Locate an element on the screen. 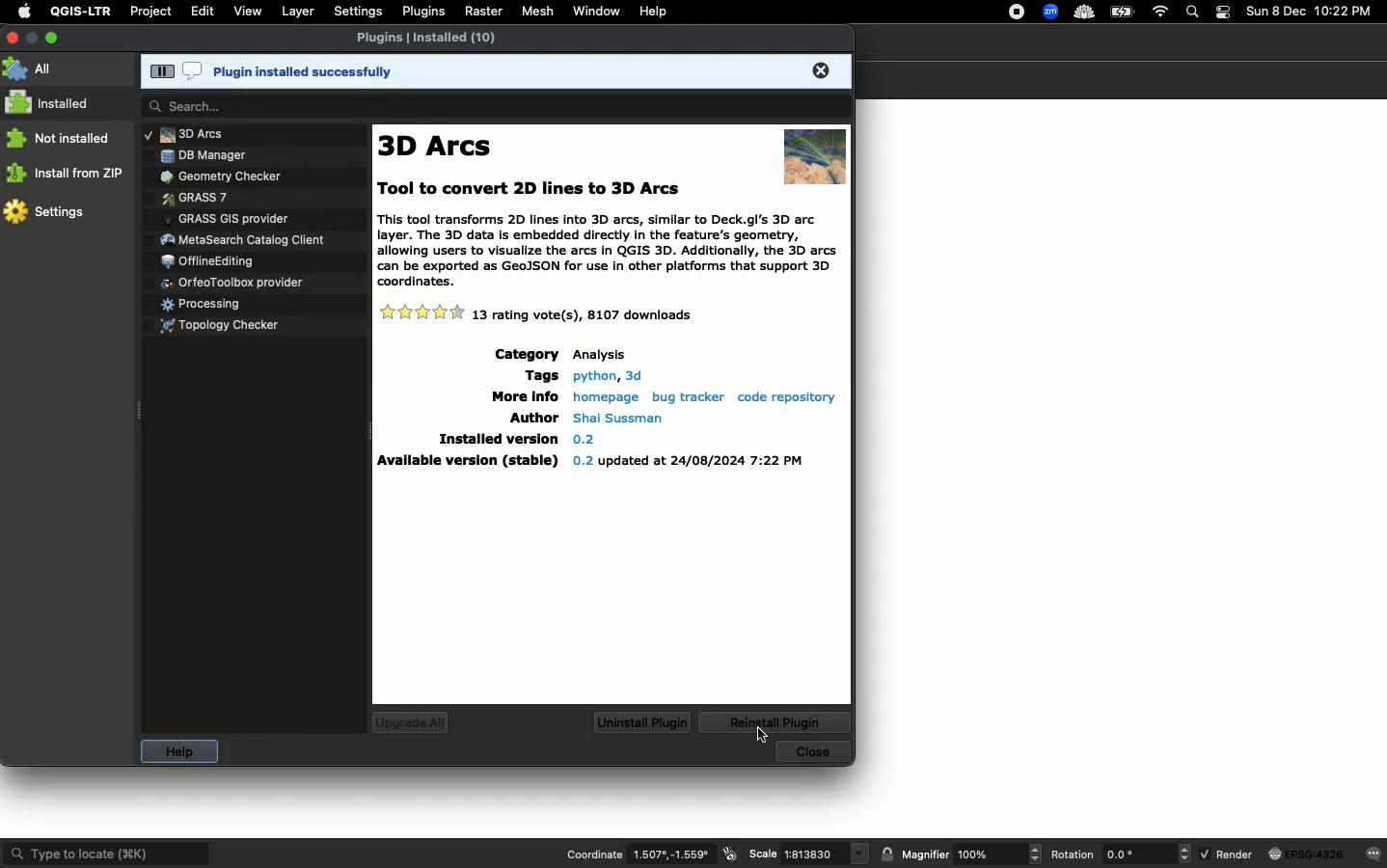  Help is located at coordinates (176, 752).